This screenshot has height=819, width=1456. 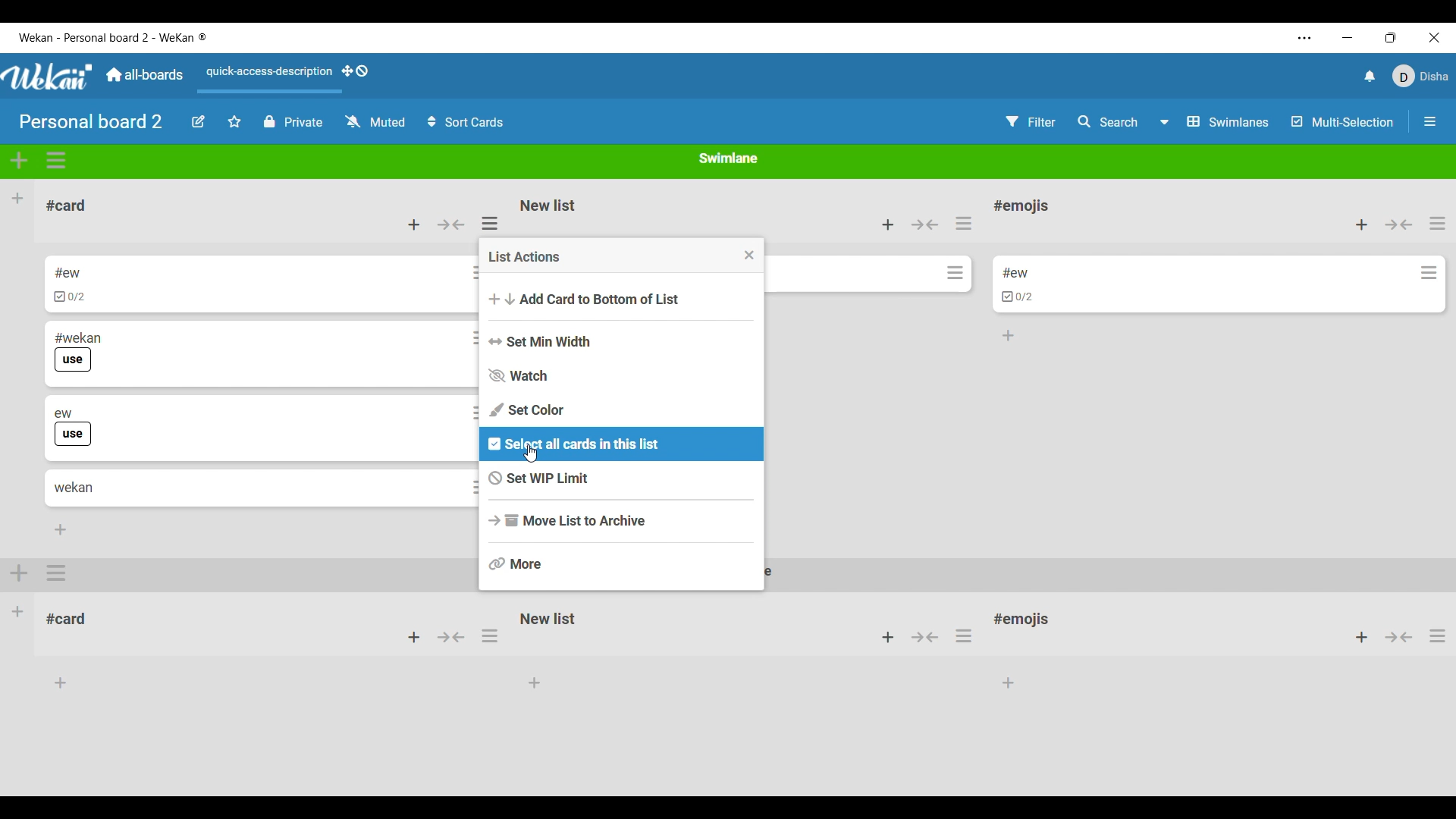 I want to click on Show desktop drag handles, so click(x=355, y=71).